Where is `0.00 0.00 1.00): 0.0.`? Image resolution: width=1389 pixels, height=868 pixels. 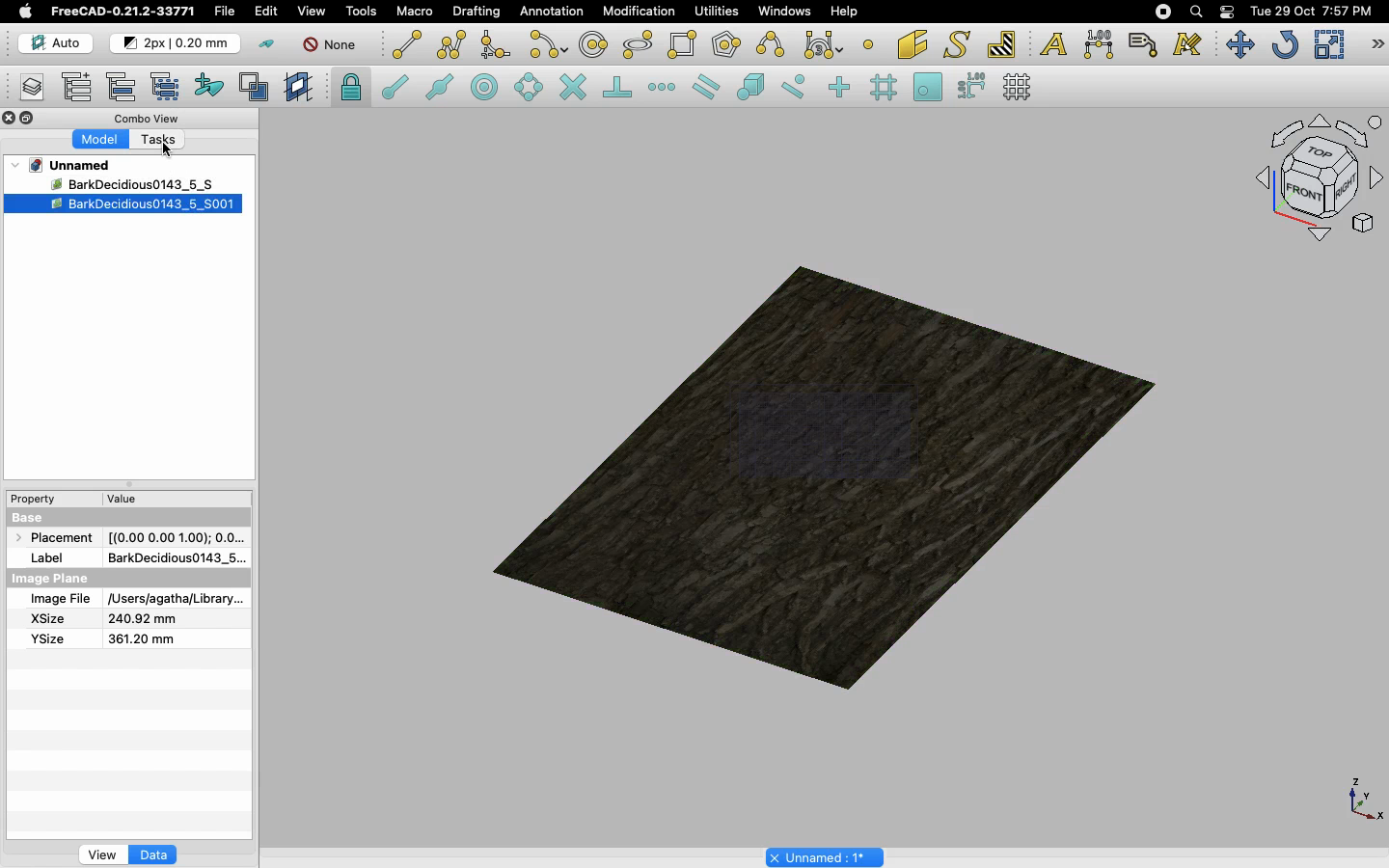 0.00 0.00 1.00): 0.0. is located at coordinates (177, 534).